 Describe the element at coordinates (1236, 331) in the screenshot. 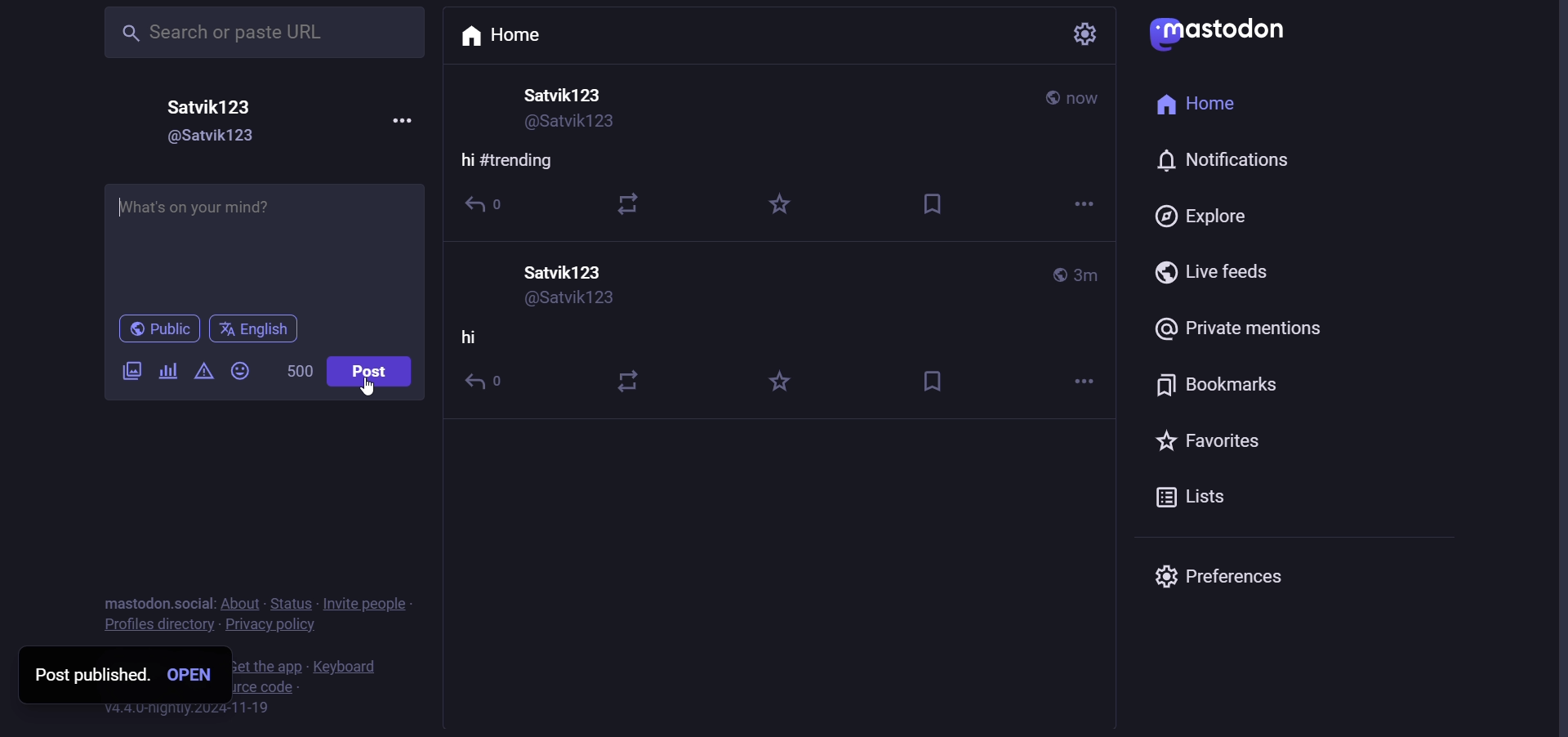

I see `private mention` at that location.